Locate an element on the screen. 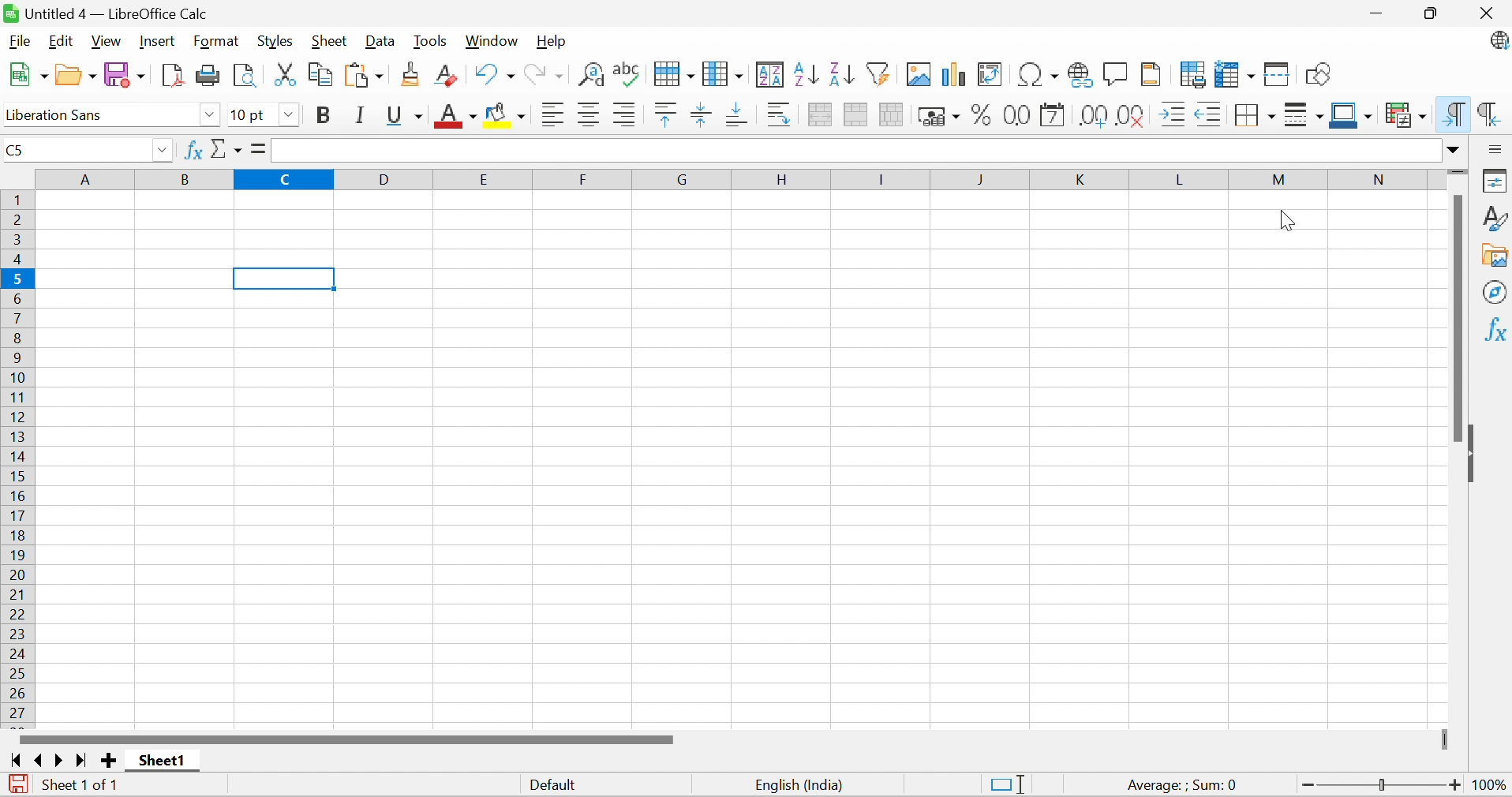 The width and height of the screenshot is (1512, 797). Format as percent is located at coordinates (982, 118).